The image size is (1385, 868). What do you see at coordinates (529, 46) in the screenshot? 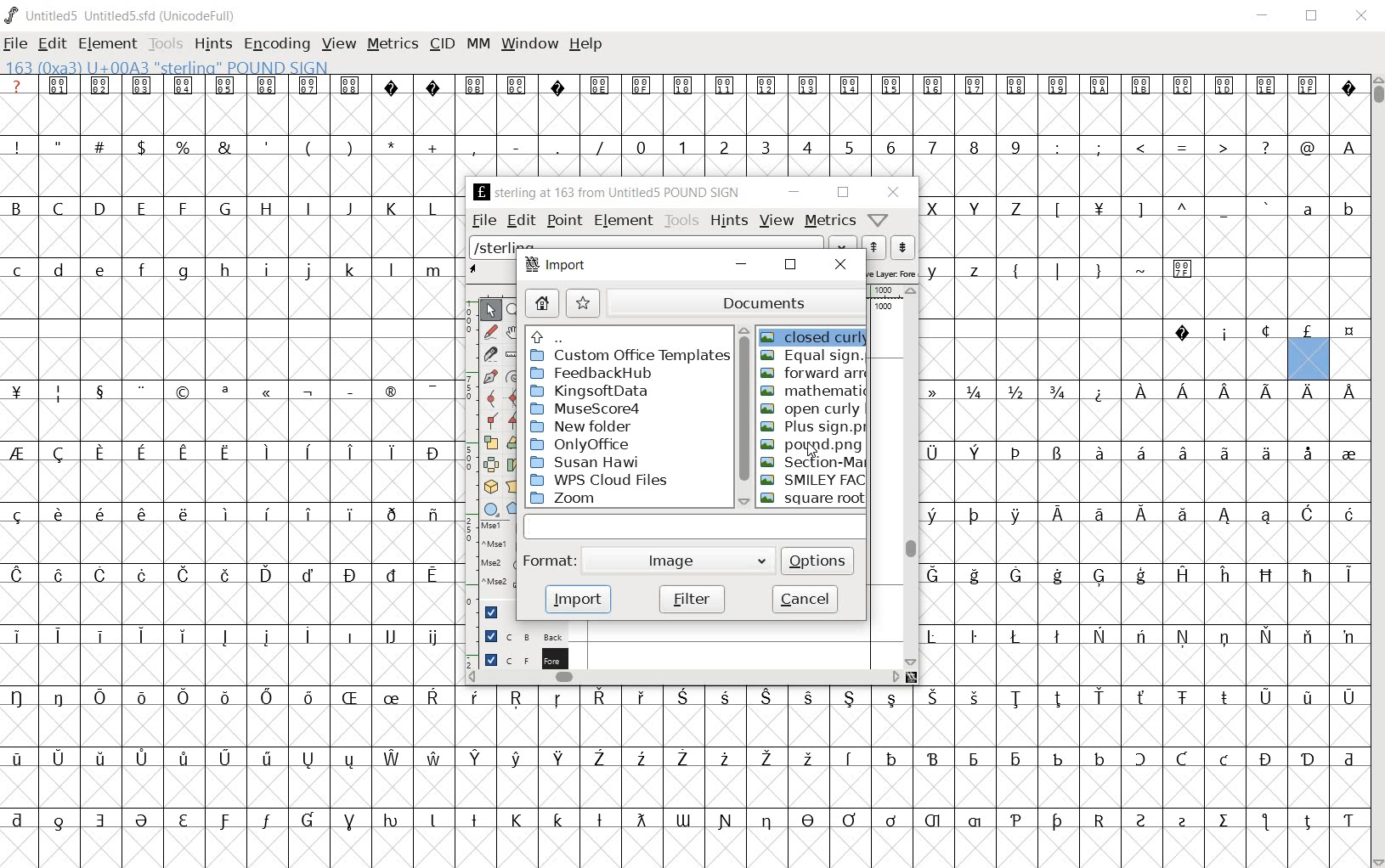
I see `WINDOW` at bounding box center [529, 46].